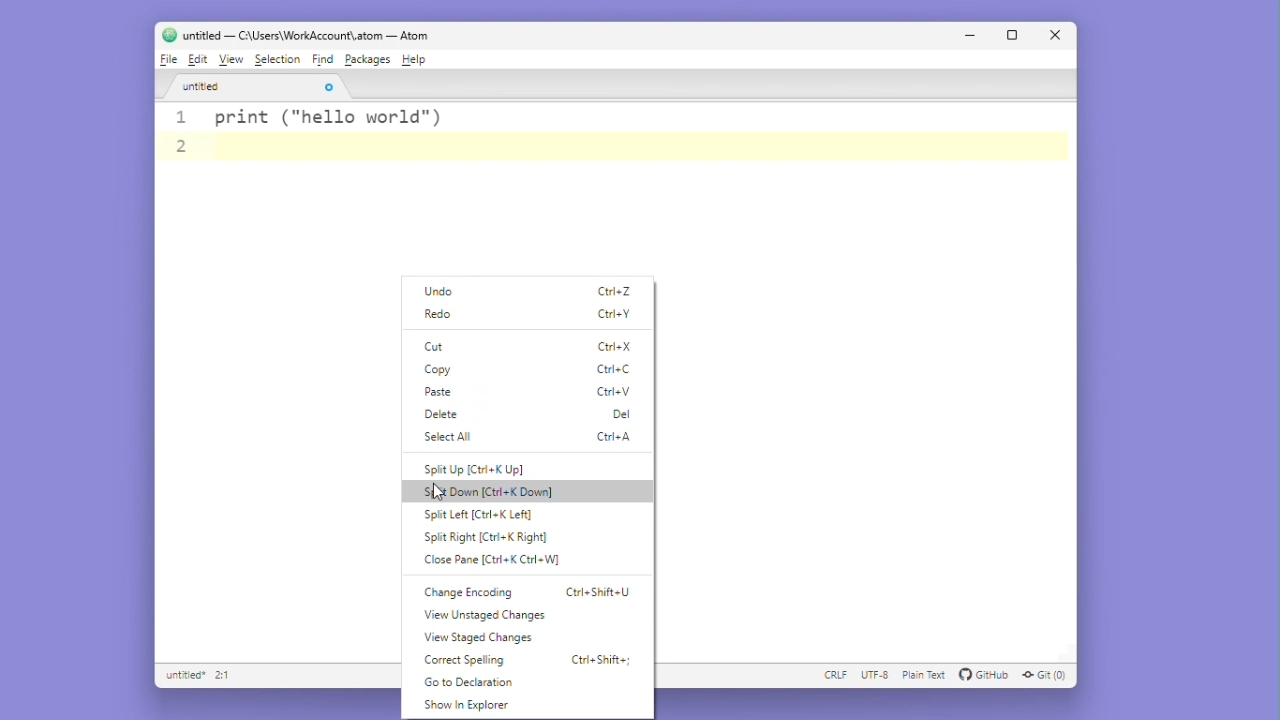 This screenshot has height=720, width=1280. What do you see at coordinates (476, 589) in the screenshot?
I see `Change encoding` at bounding box center [476, 589].